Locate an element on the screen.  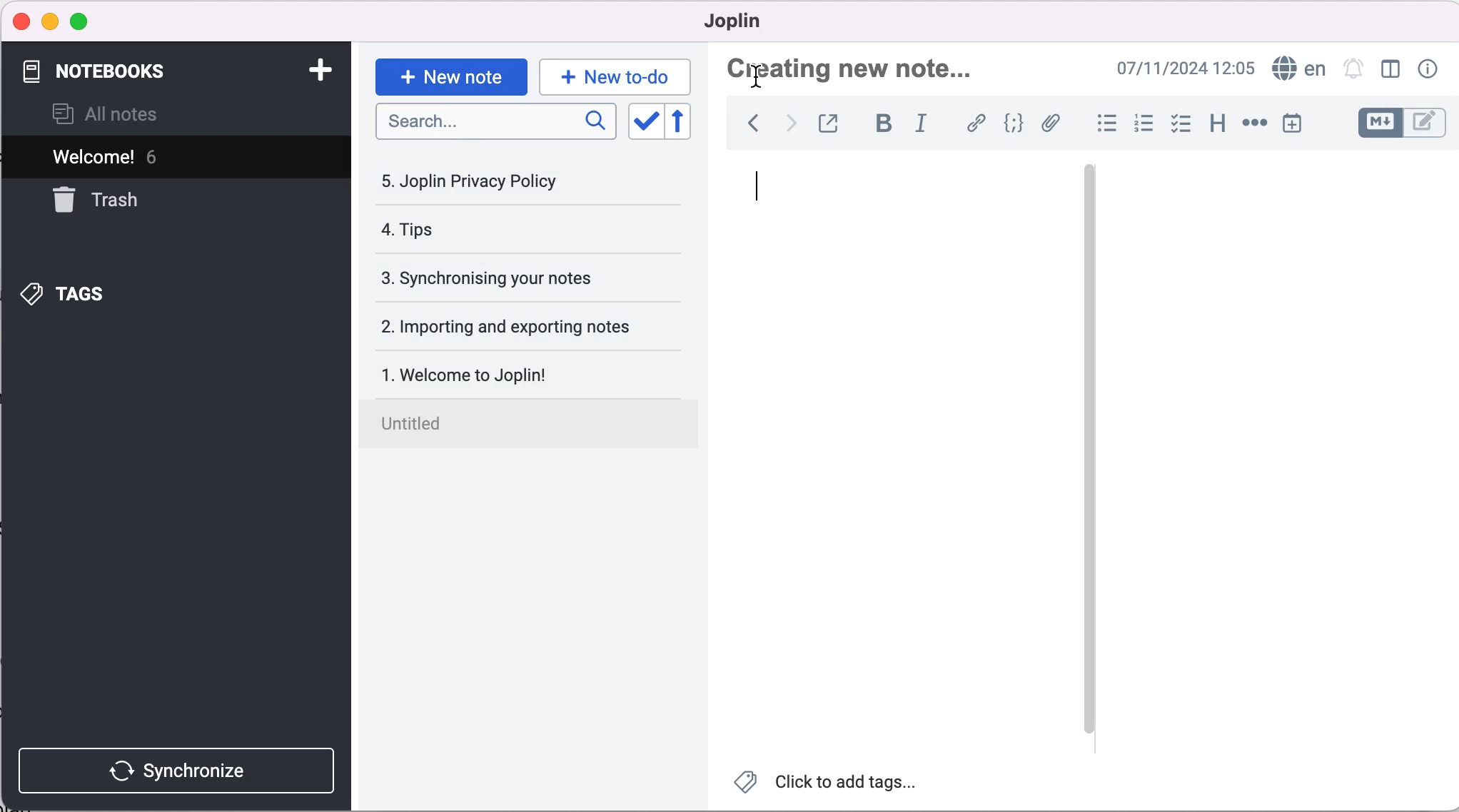
code is located at coordinates (1009, 124).